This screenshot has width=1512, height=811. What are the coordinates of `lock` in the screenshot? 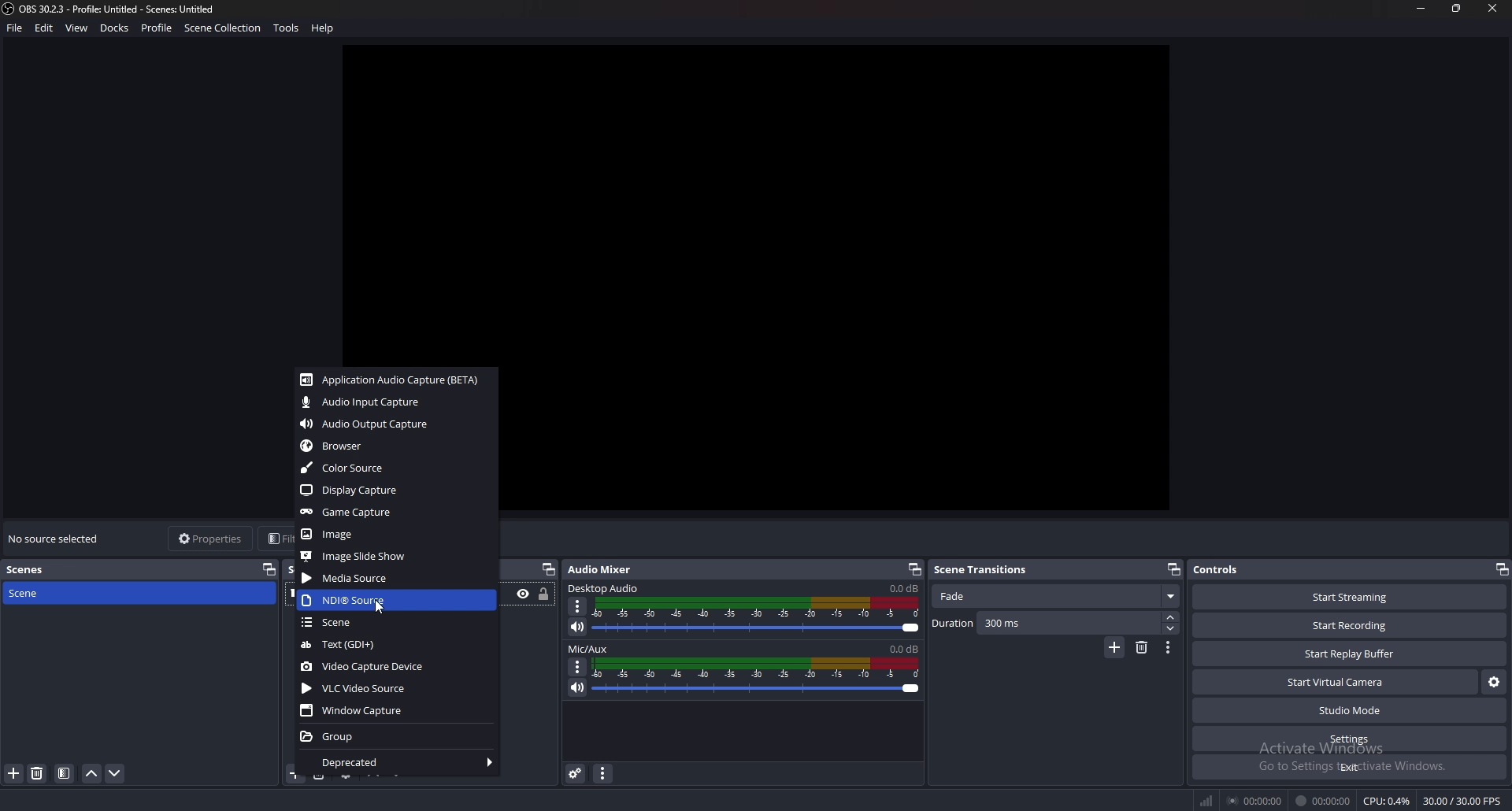 It's located at (544, 594).